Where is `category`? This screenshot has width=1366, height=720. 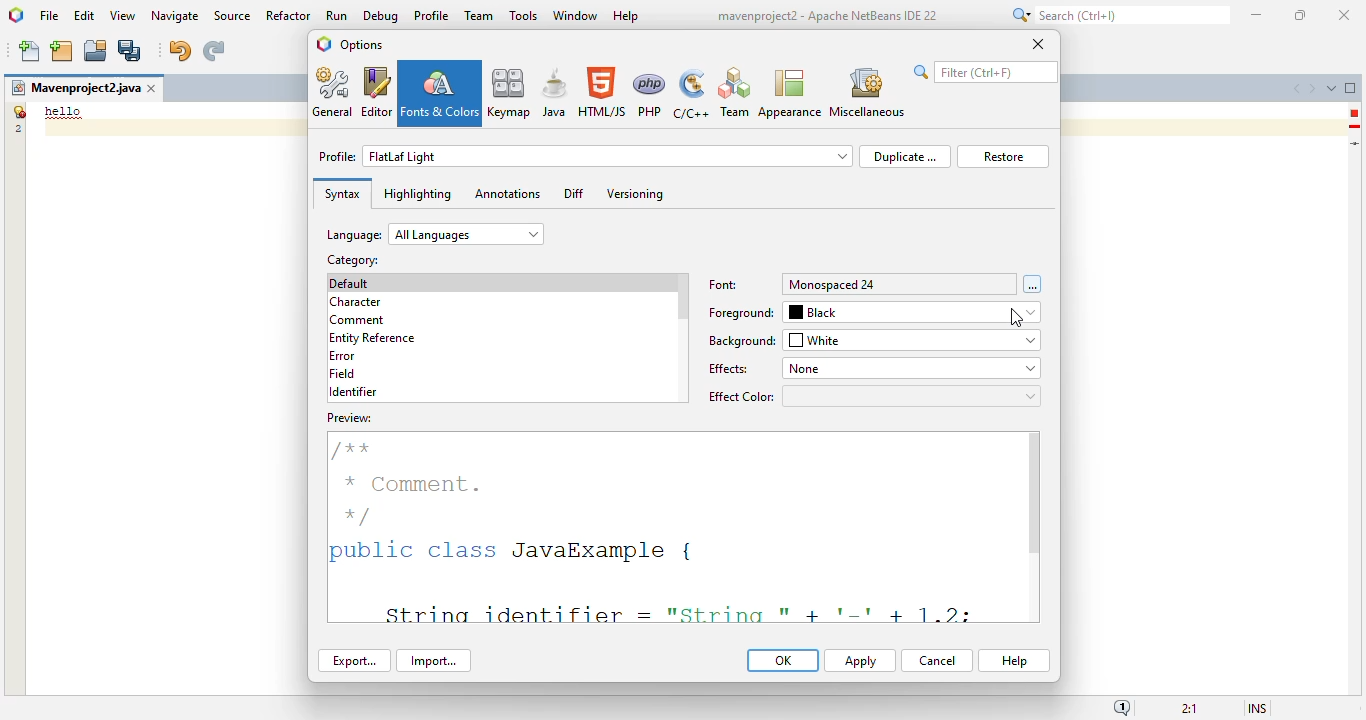
category is located at coordinates (351, 260).